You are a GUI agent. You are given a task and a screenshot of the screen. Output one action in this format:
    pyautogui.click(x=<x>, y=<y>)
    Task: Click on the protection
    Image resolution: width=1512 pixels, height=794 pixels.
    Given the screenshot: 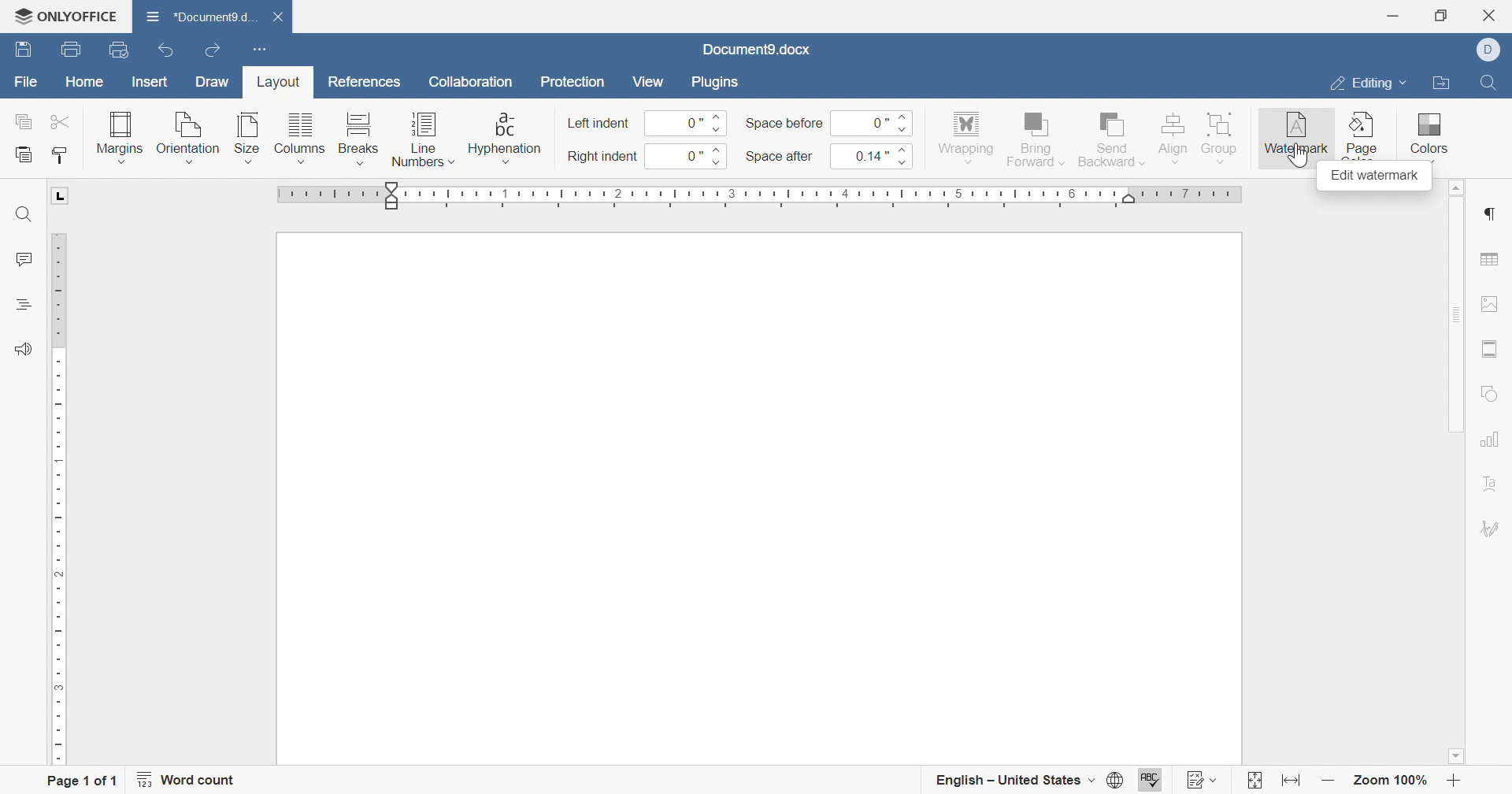 What is the action you would take?
    pyautogui.click(x=573, y=85)
    